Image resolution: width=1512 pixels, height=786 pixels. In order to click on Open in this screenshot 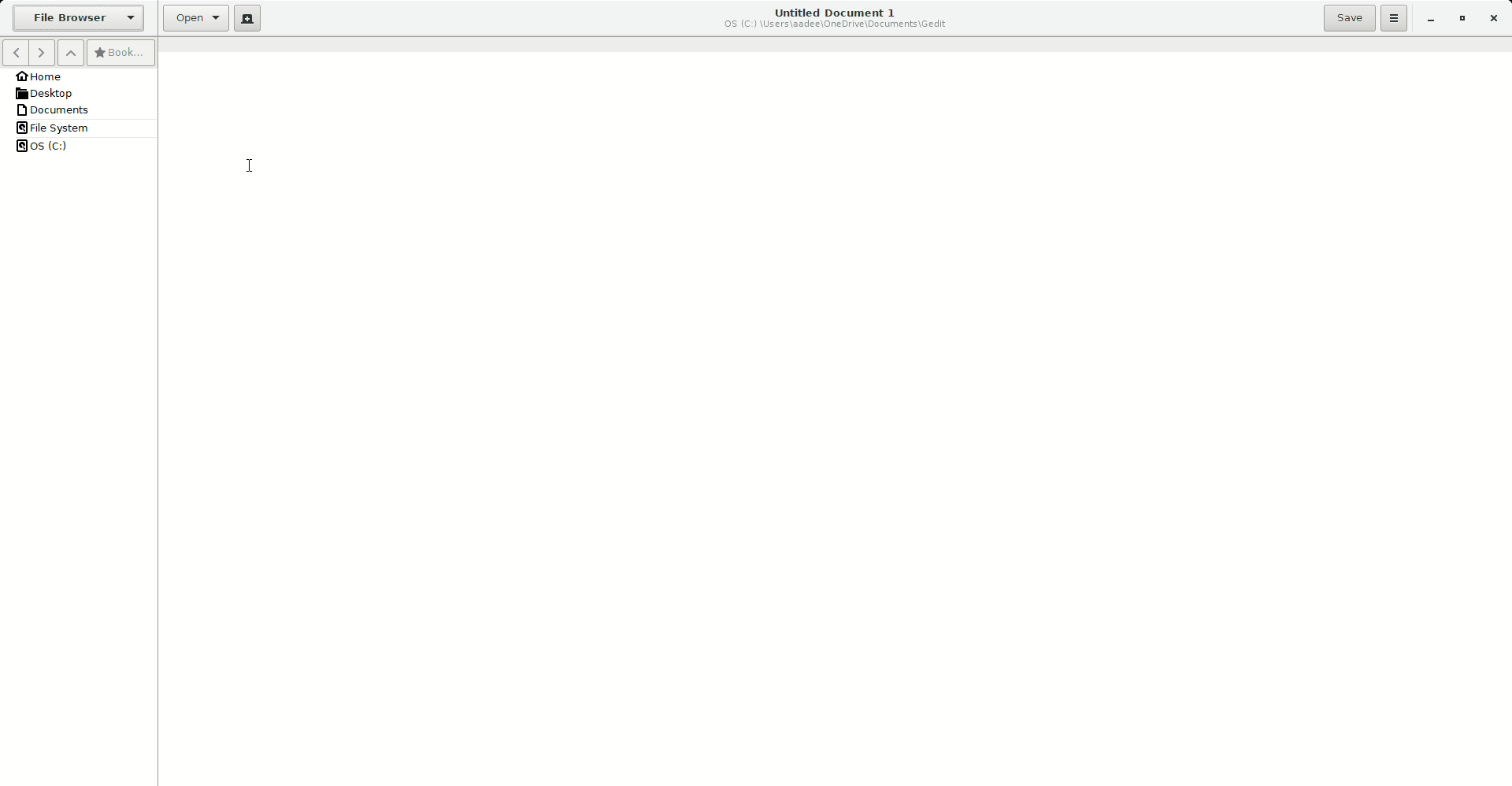, I will do `click(191, 20)`.